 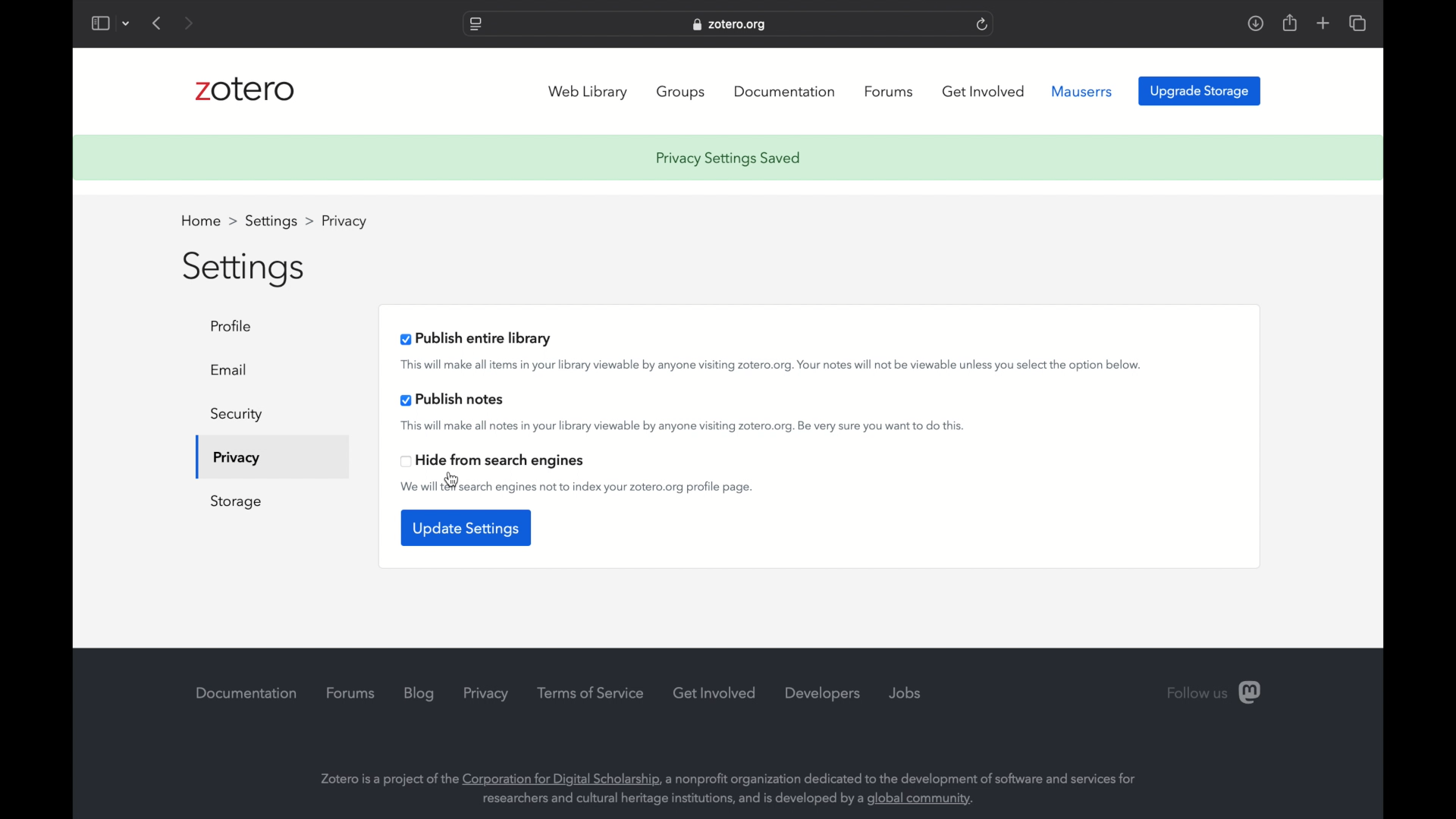 What do you see at coordinates (101, 23) in the screenshot?
I see `show sidebar` at bounding box center [101, 23].